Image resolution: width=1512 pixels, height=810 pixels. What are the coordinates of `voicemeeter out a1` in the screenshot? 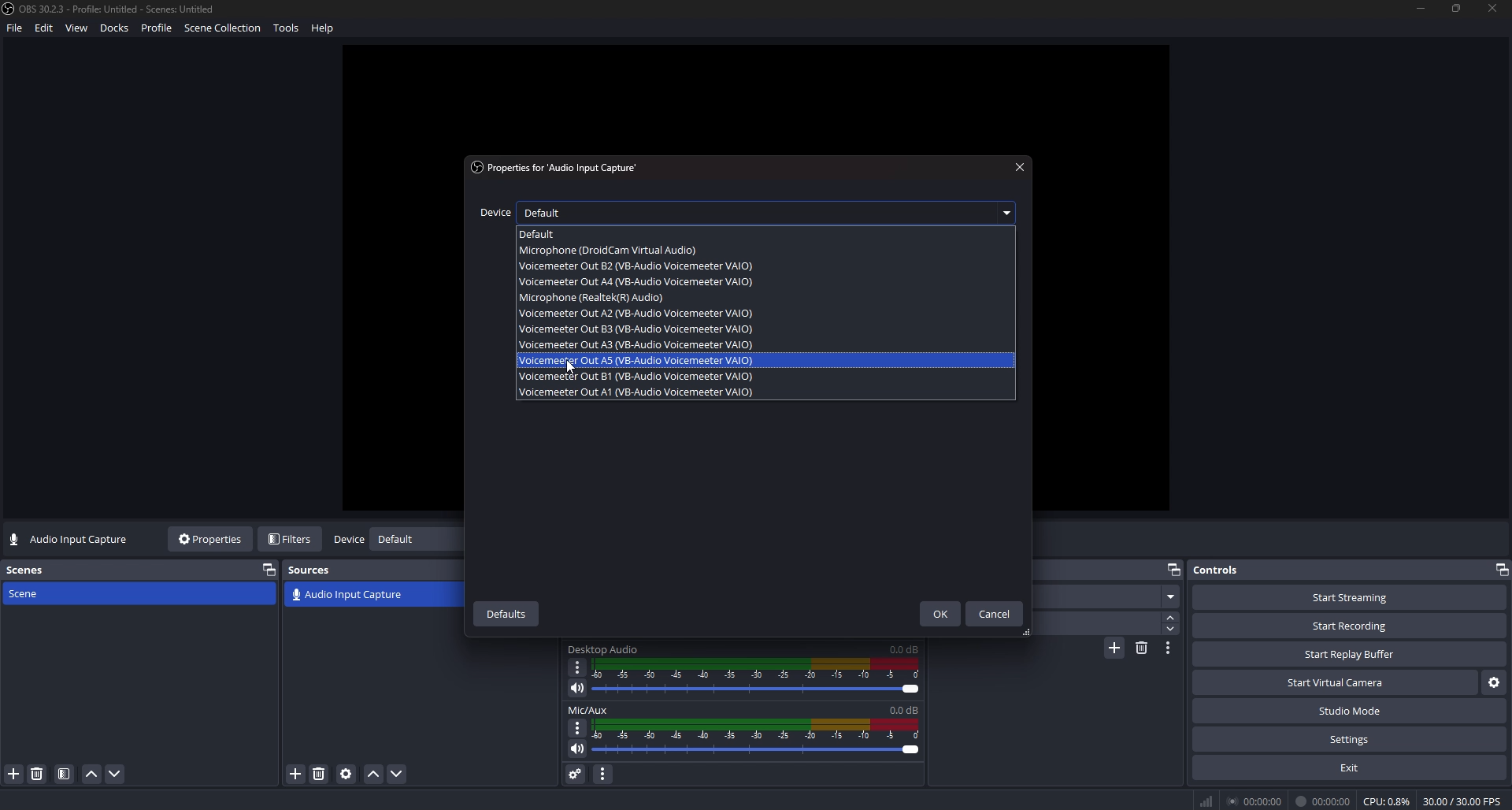 It's located at (638, 392).